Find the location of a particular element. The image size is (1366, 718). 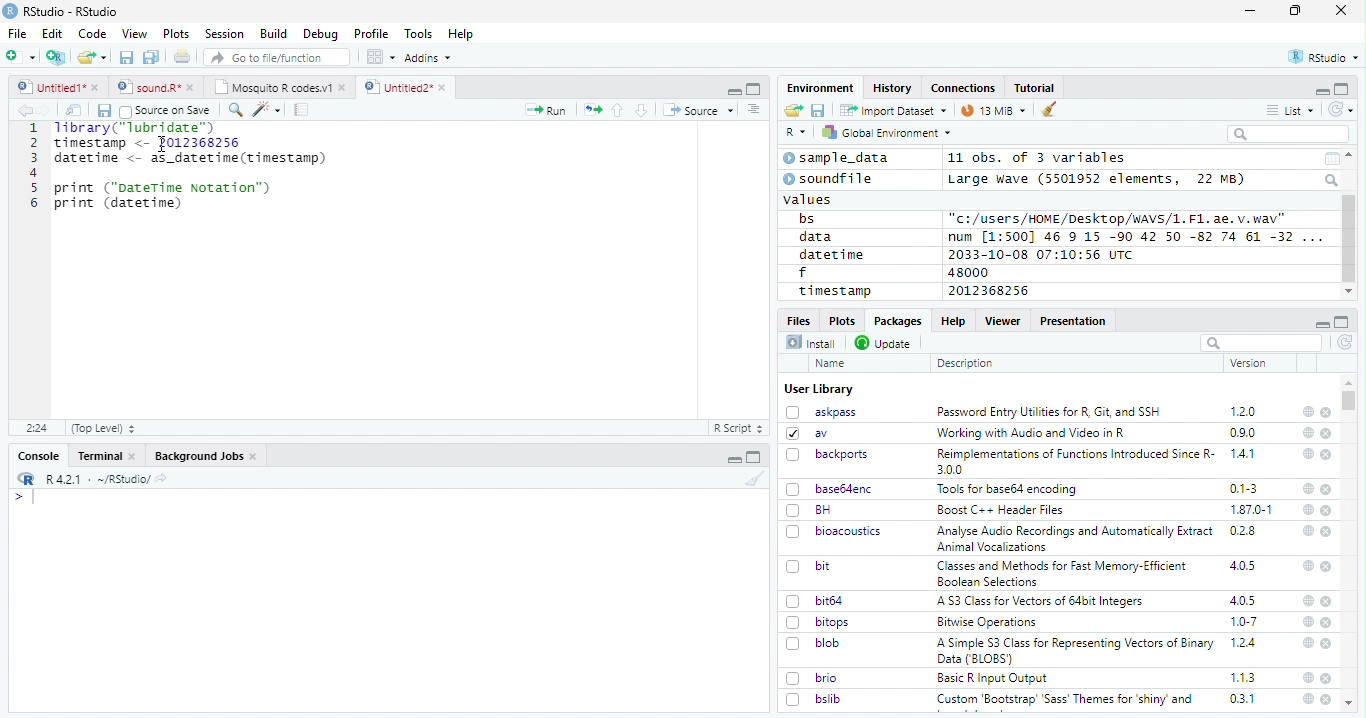

0.2.8 is located at coordinates (1244, 530).